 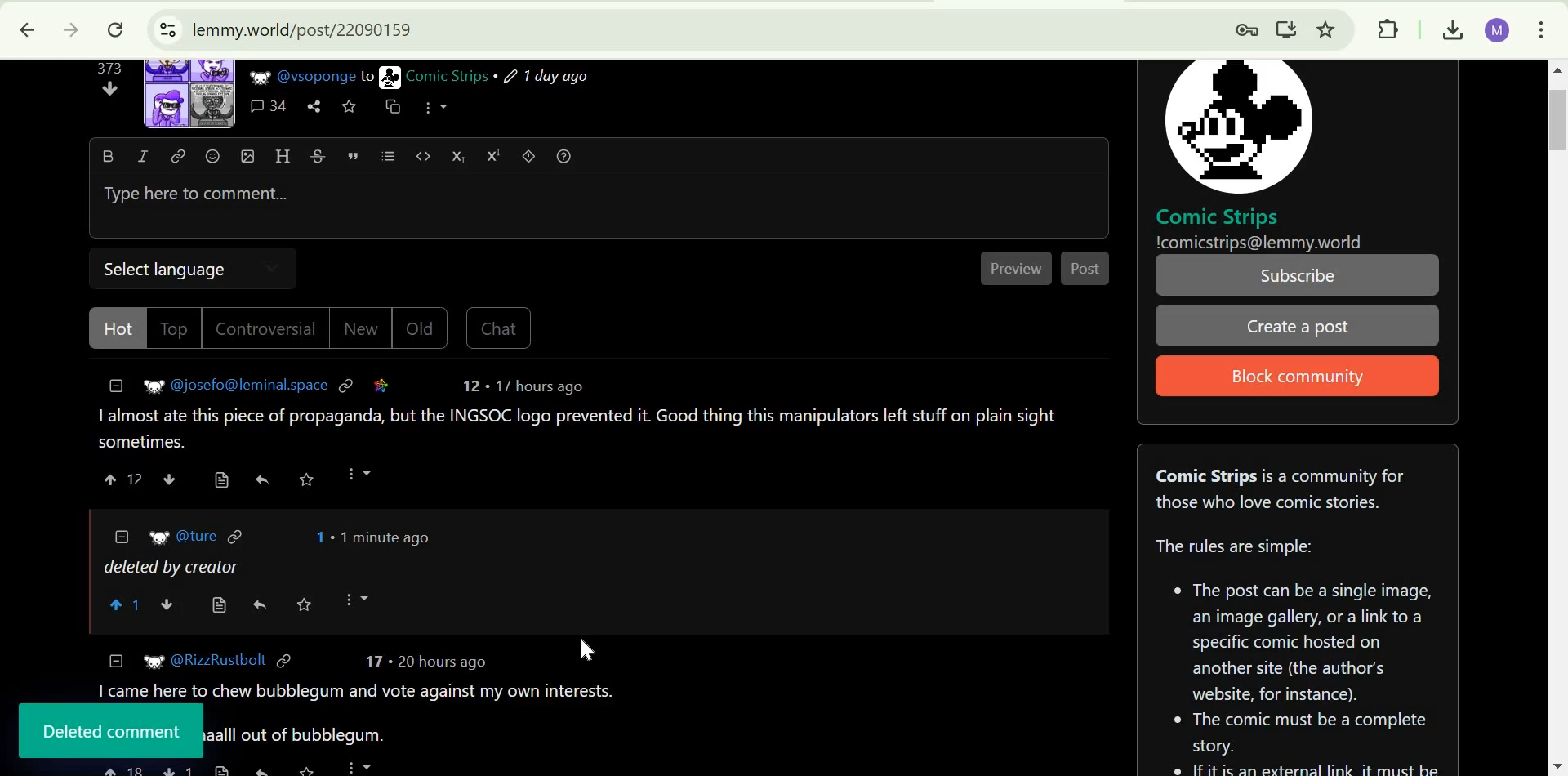 What do you see at coordinates (1018, 269) in the screenshot?
I see `Preview` at bounding box center [1018, 269].